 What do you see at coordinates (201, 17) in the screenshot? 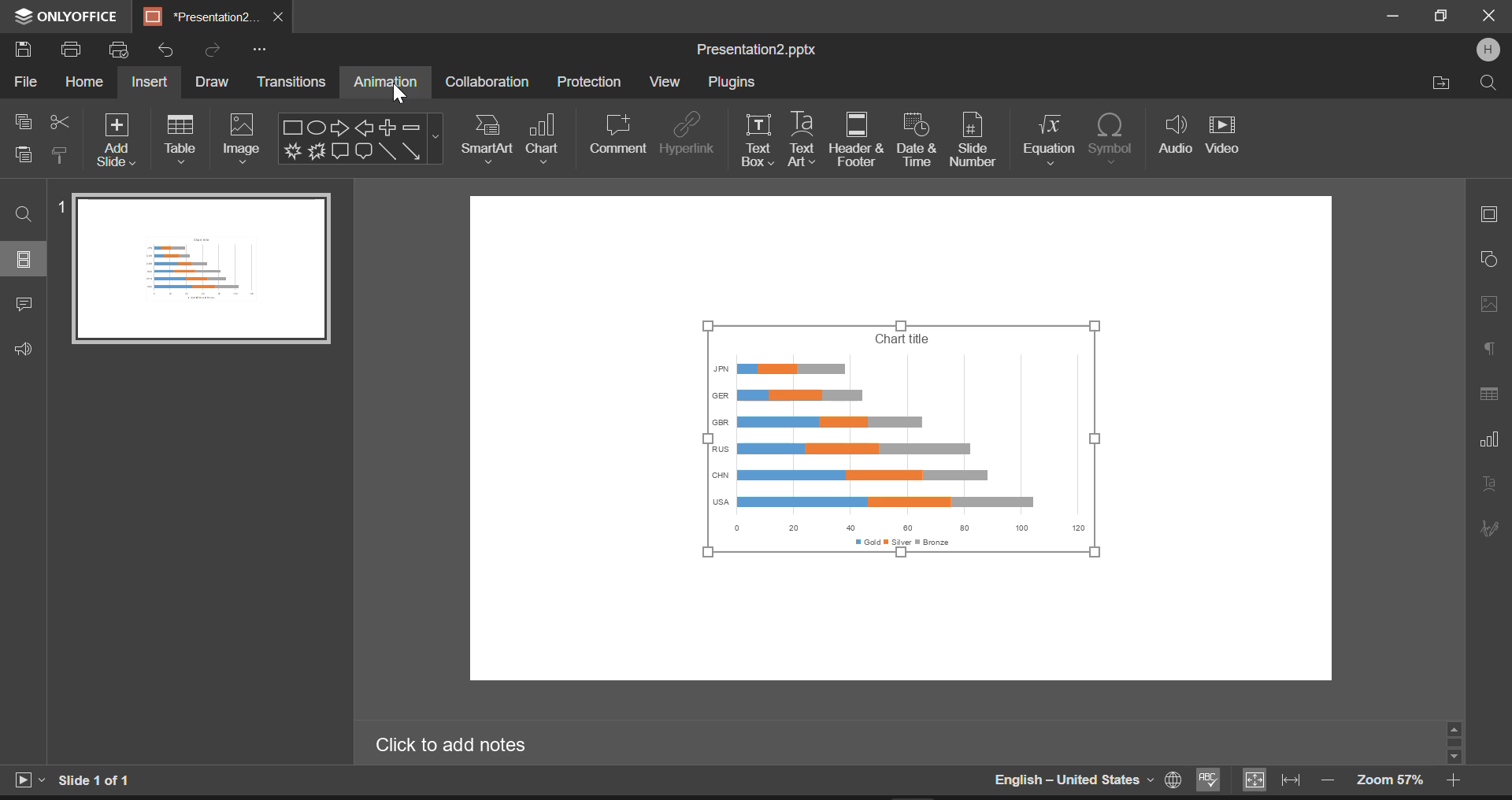
I see `*Presentation2.pptx` at bounding box center [201, 17].